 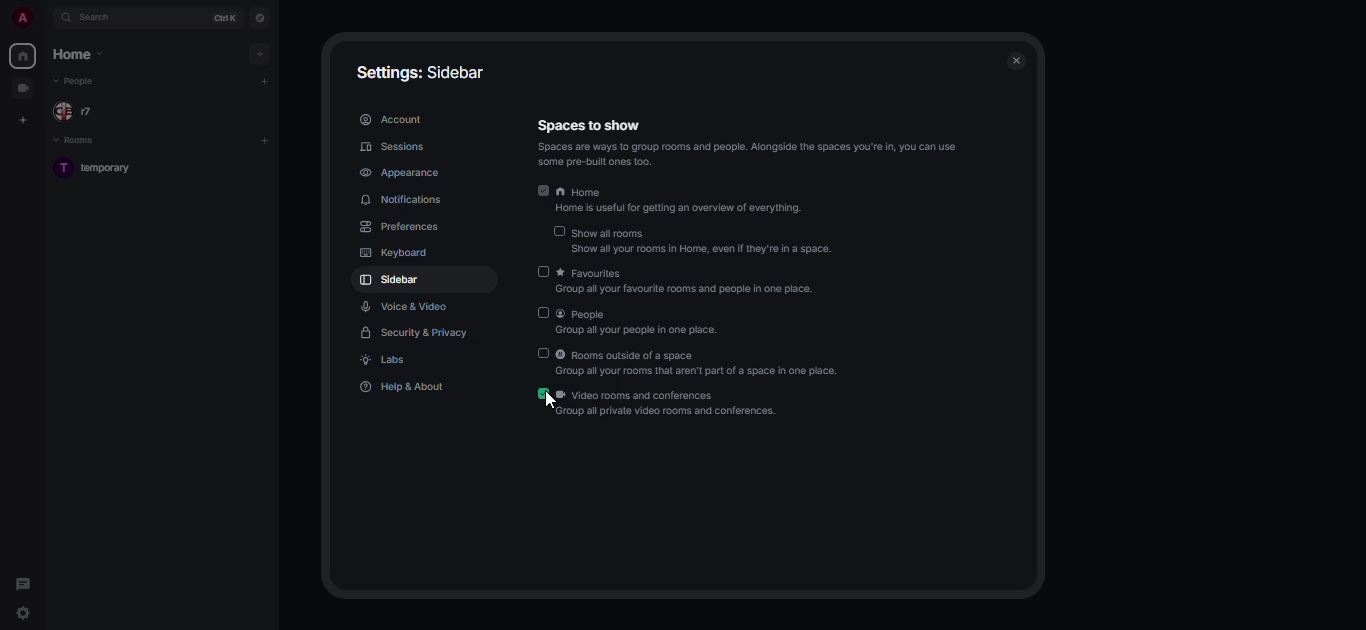 What do you see at coordinates (75, 141) in the screenshot?
I see `rooms` at bounding box center [75, 141].